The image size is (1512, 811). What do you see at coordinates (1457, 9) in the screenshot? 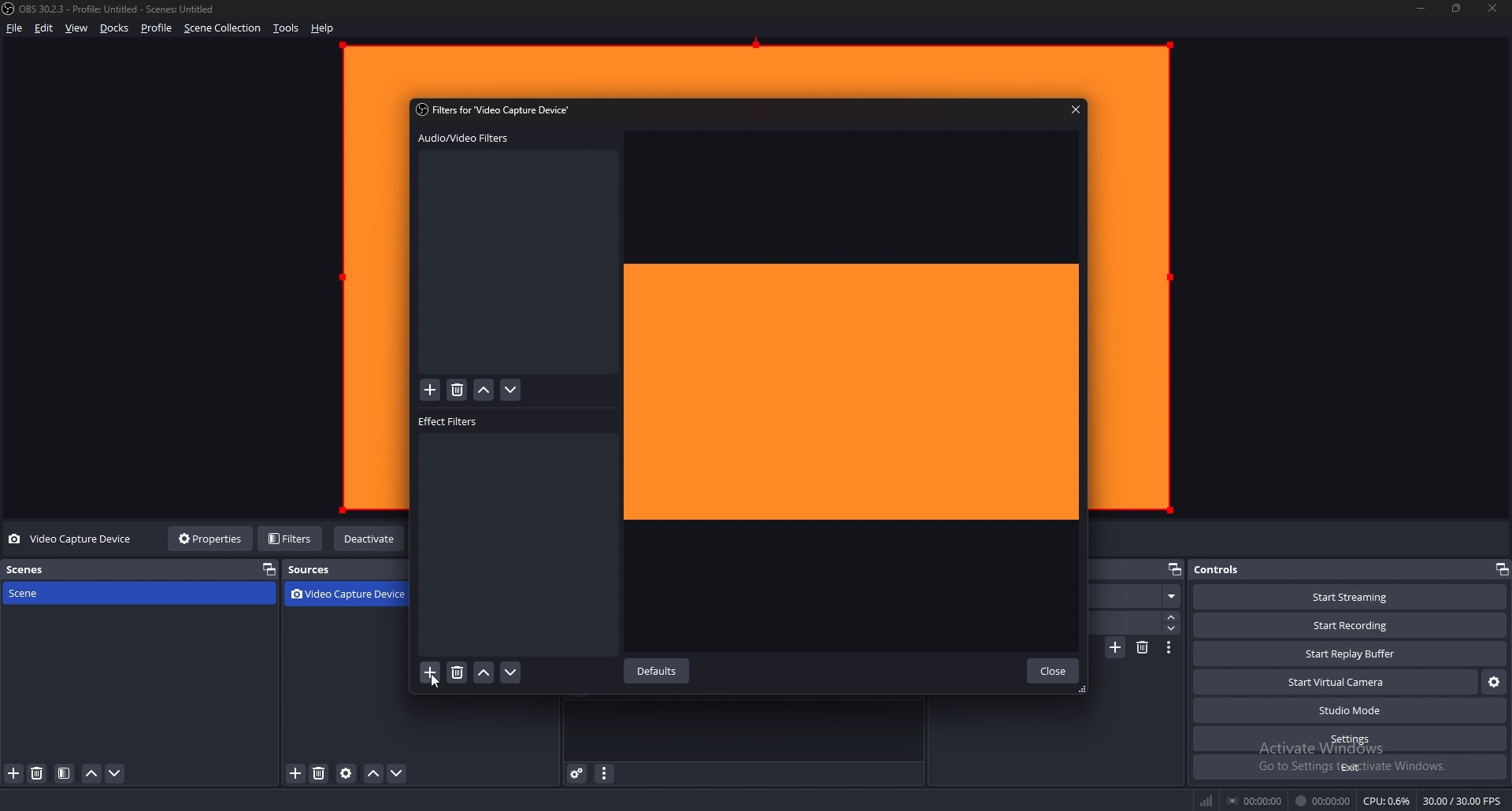
I see `resize` at bounding box center [1457, 9].